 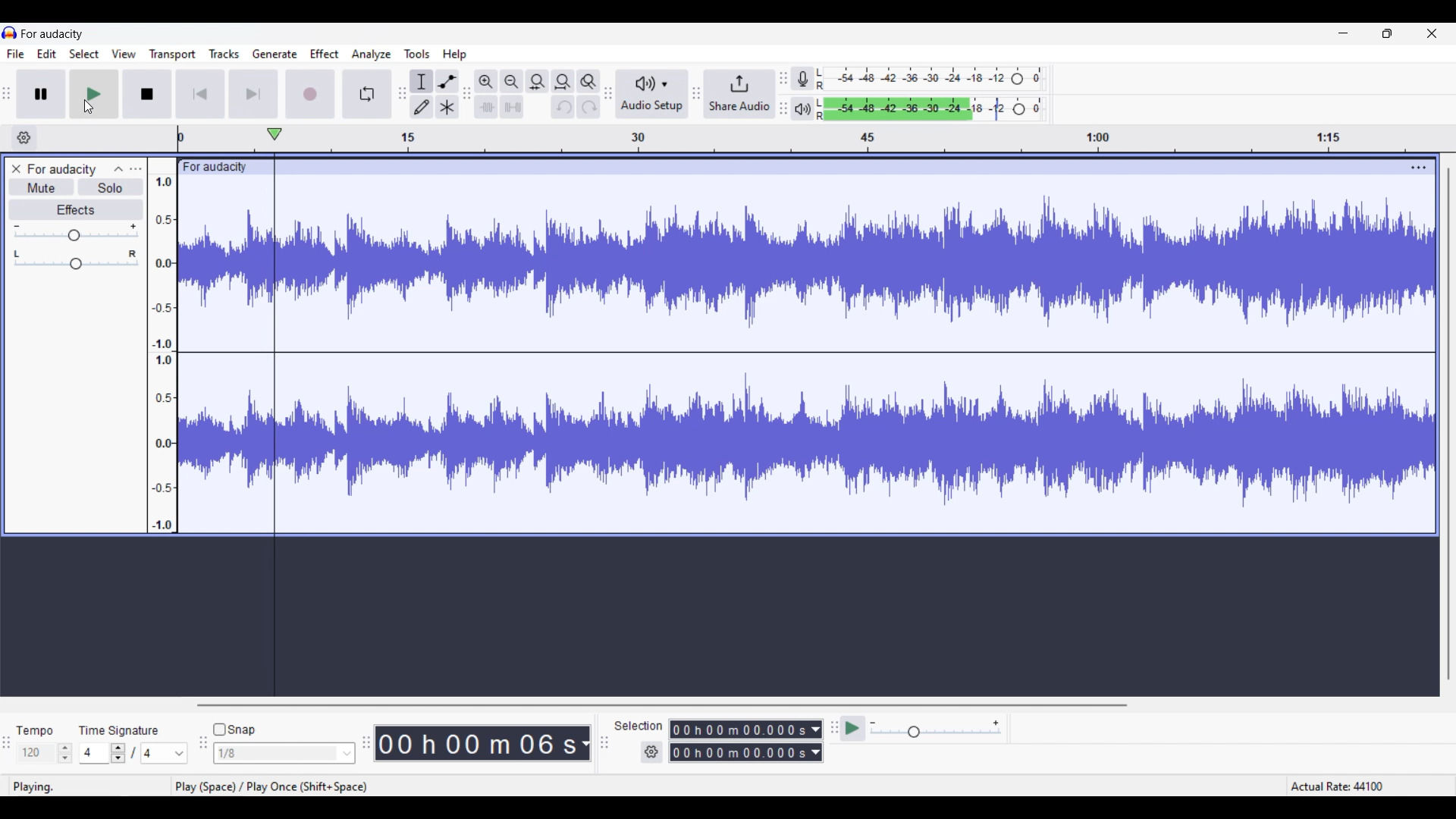 I want to click on Redo, so click(x=588, y=107).